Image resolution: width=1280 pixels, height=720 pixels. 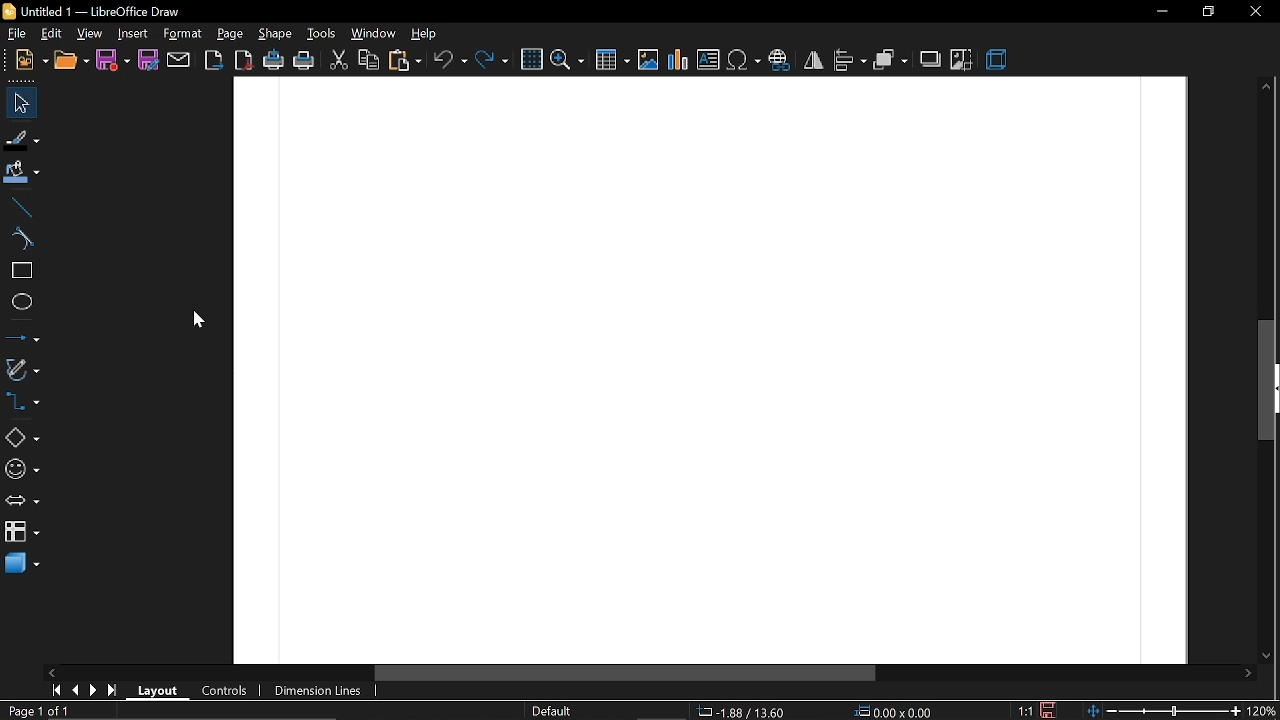 What do you see at coordinates (338, 61) in the screenshot?
I see `cut` at bounding box center [338, 61].